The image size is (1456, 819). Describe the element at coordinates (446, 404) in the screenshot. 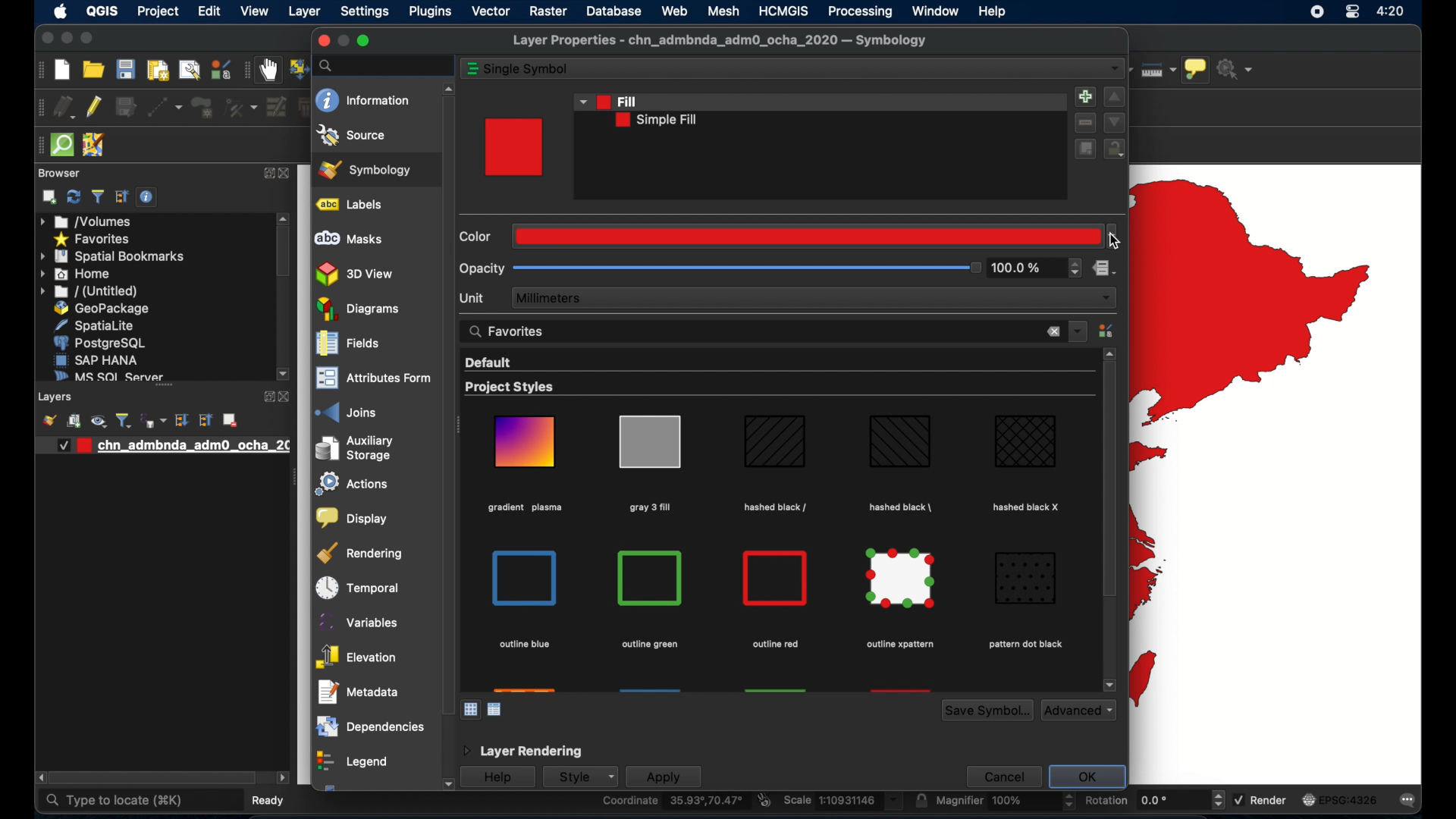

I see `scroll box` at that location.